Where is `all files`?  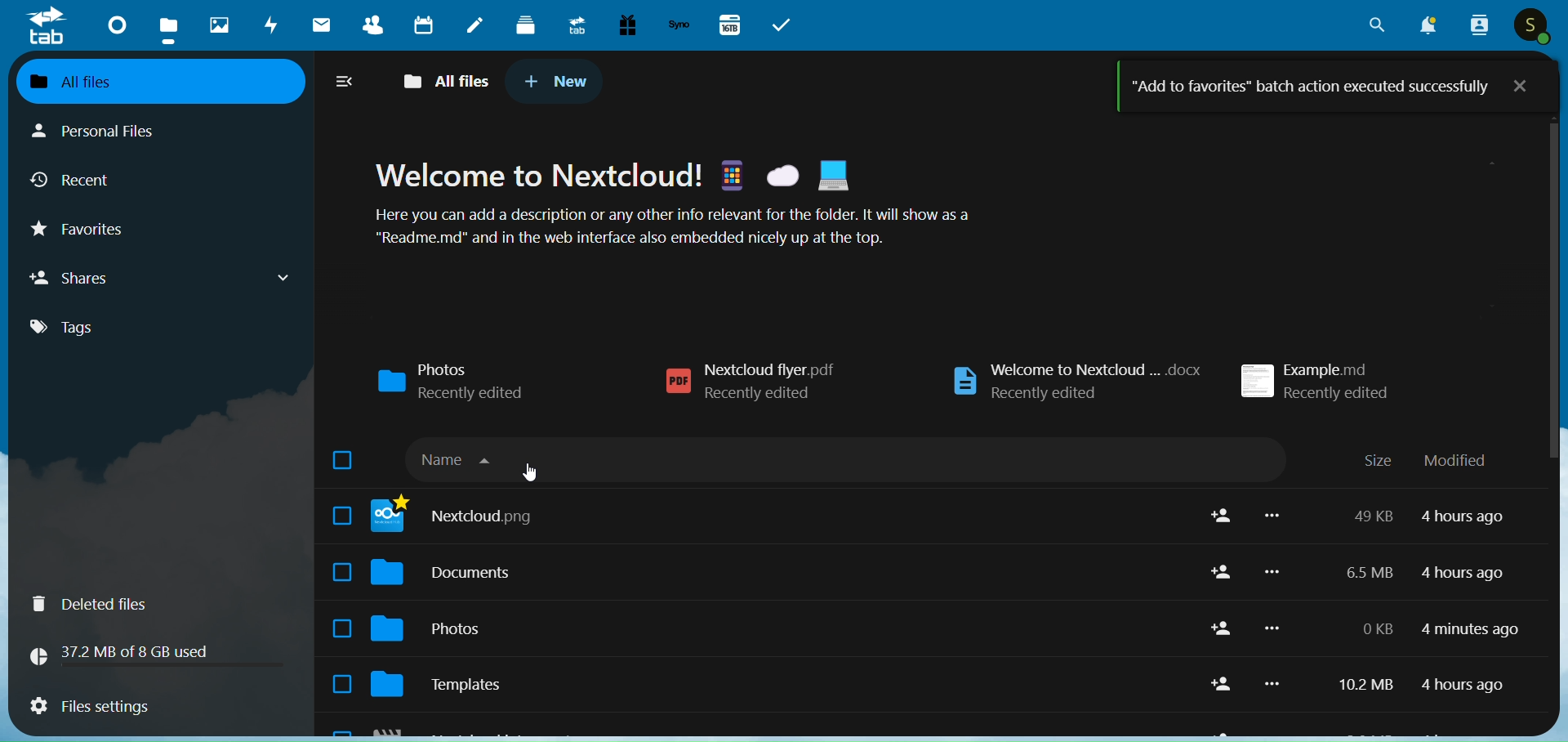
all files is located at coordinates (443, 81).